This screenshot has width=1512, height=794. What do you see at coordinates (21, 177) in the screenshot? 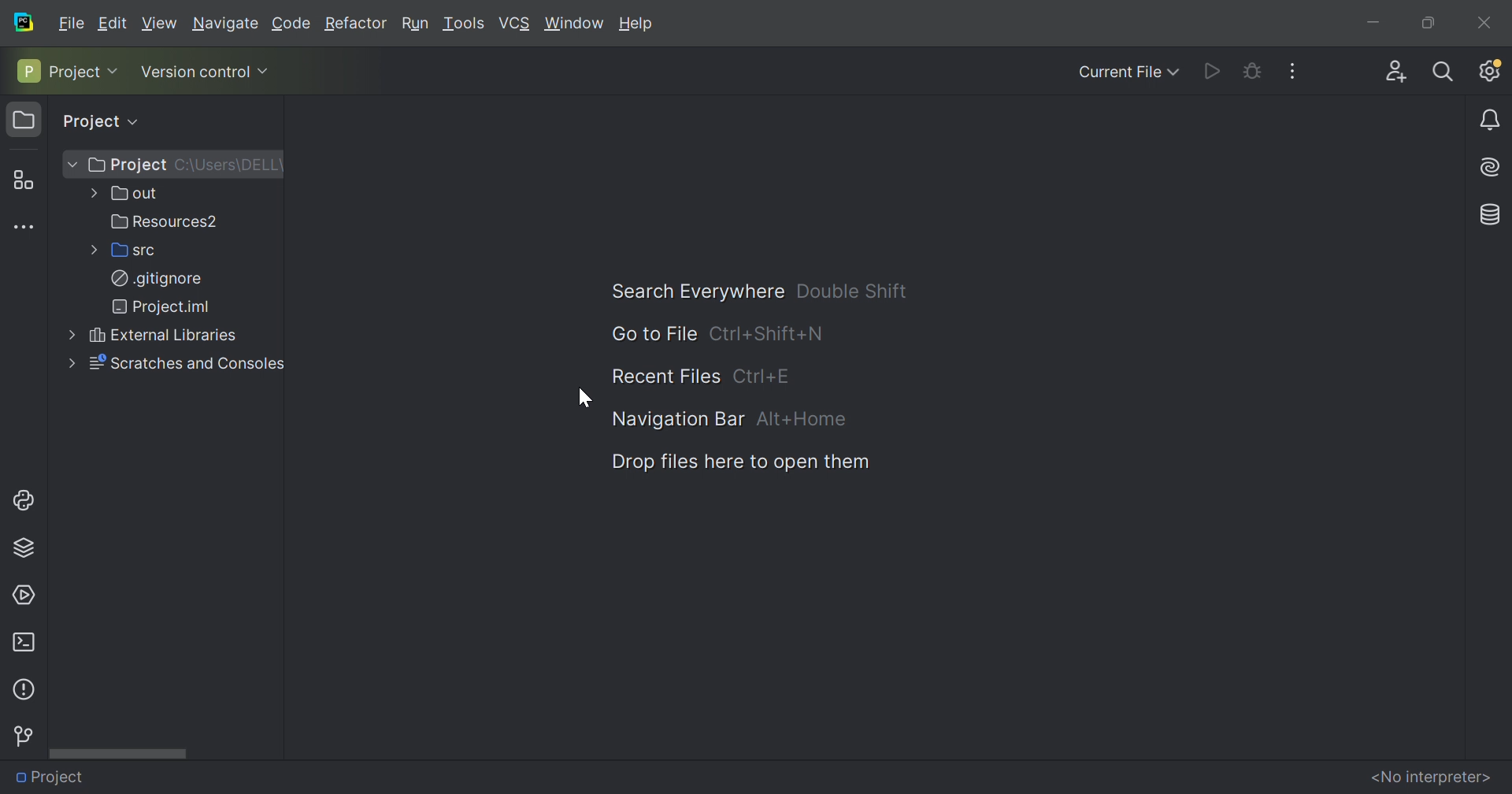
I see `Structure` at bounding box center [21, 177].